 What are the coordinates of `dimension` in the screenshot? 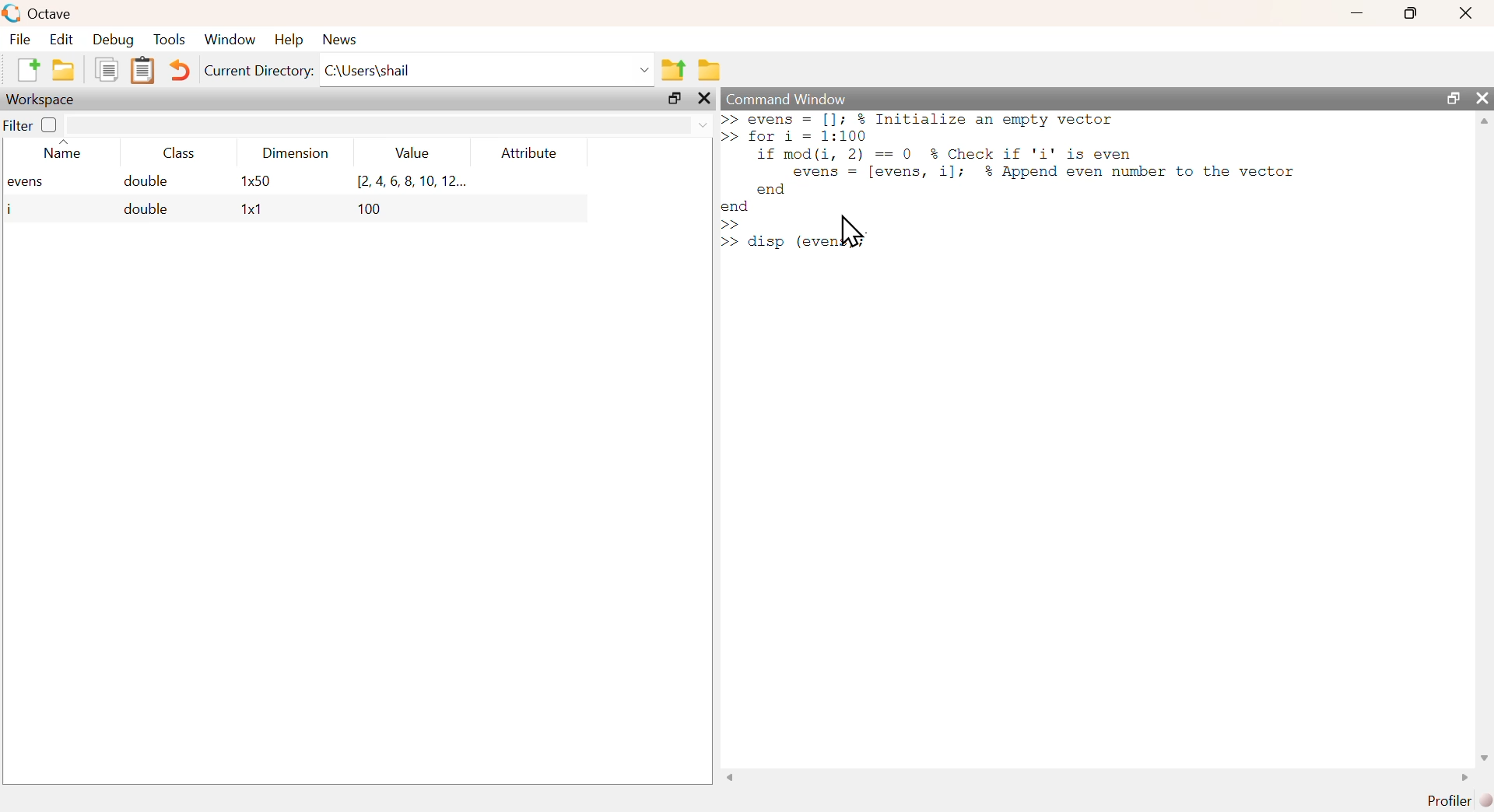 It's located at (291, 155).